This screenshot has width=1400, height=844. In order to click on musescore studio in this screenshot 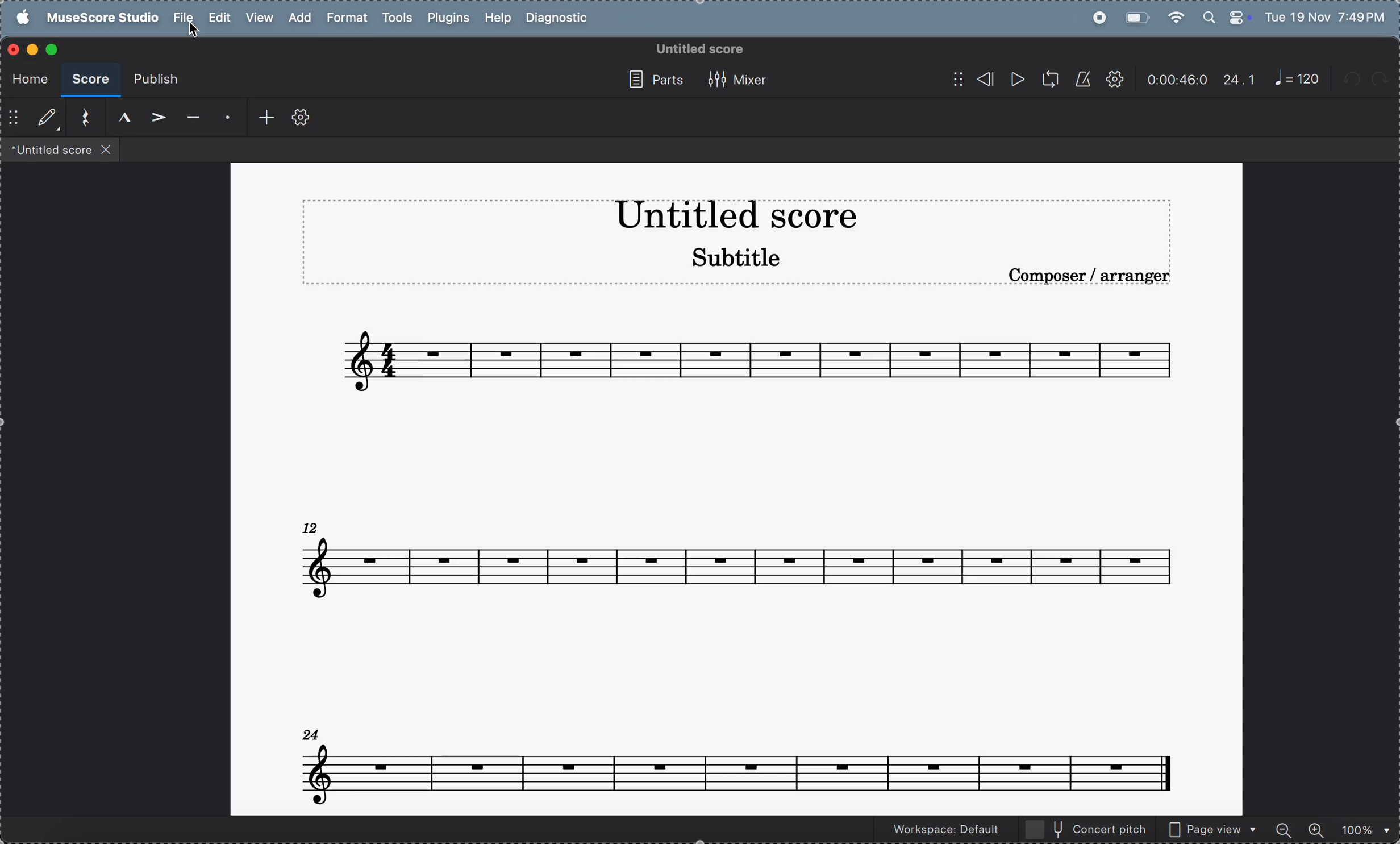, I will do `click(99, 18)`.